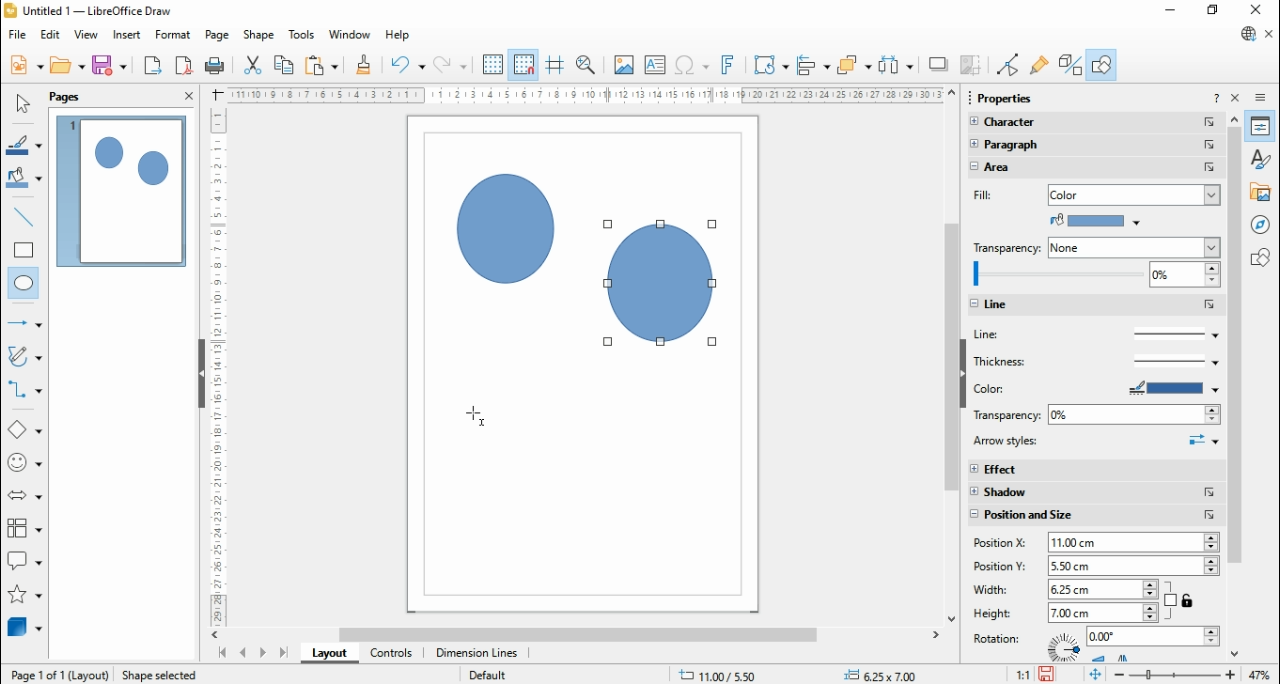  Describe the element at coordinates (1005, 98) in the screenshot. I see `Properties` at that location.